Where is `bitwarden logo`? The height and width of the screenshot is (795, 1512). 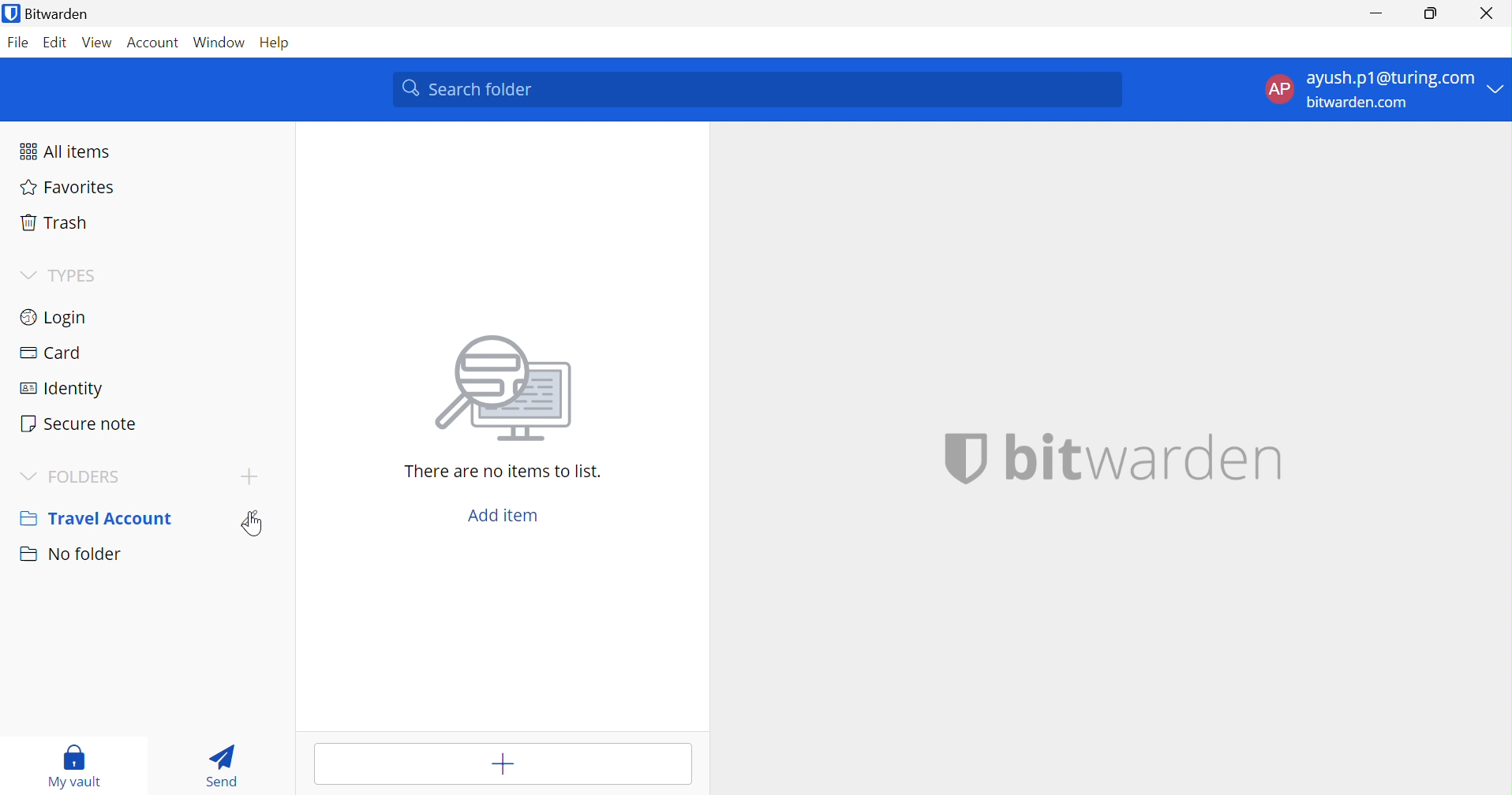
bitwarden logo is located at coordinates (955, 457).